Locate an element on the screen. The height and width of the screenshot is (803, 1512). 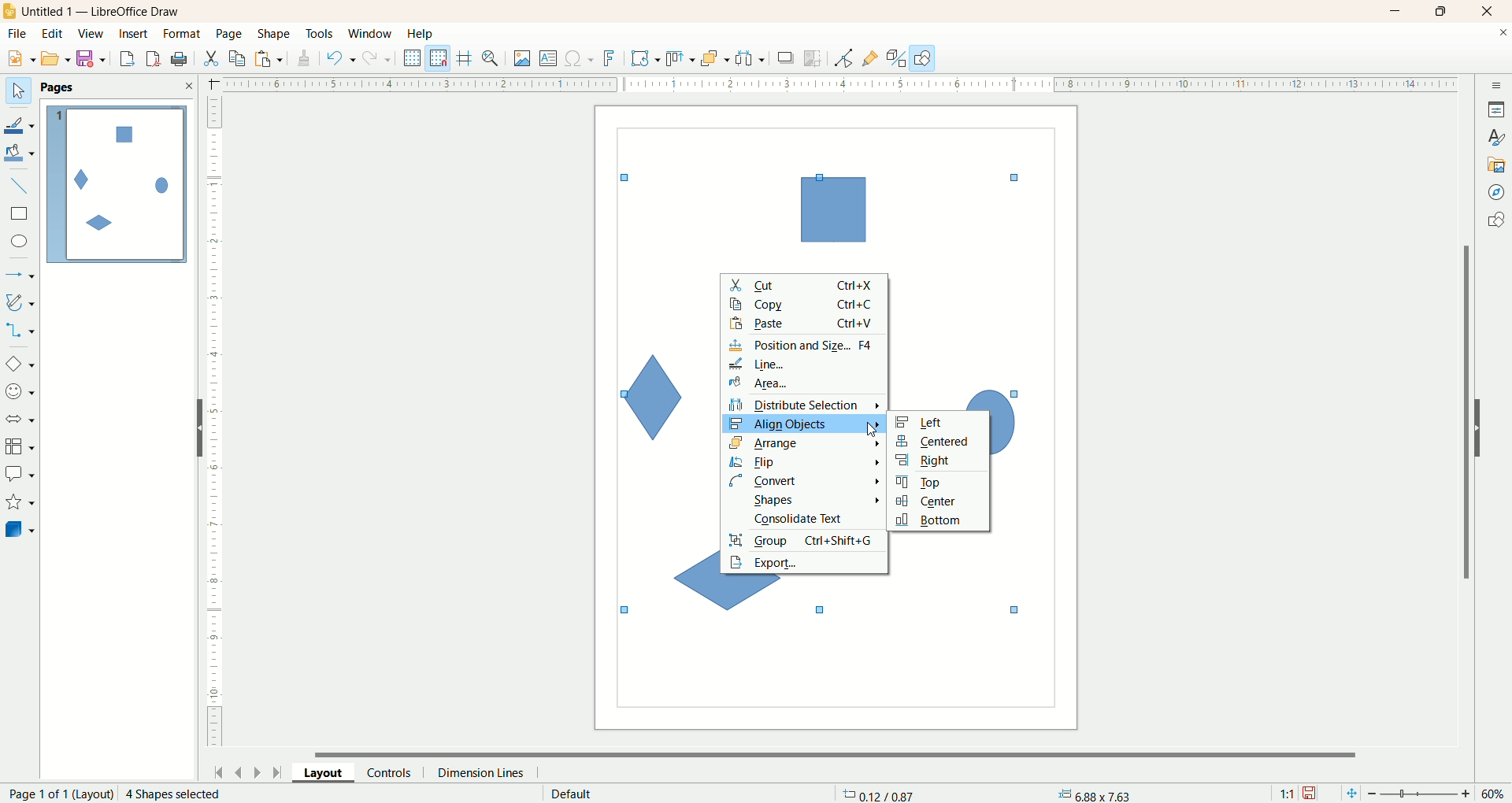
fill color is located at coordinates (21, 154).